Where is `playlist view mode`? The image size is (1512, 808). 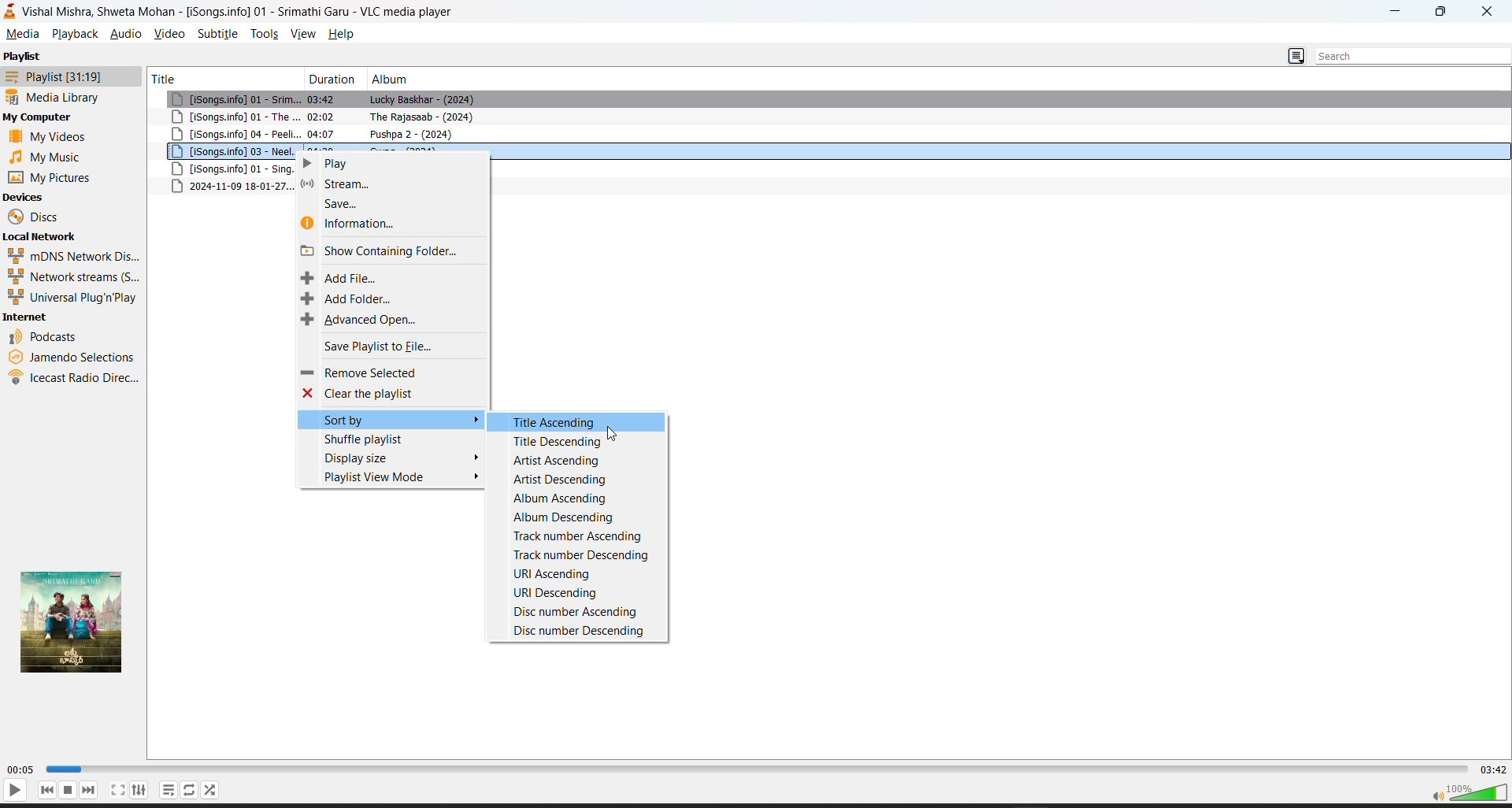
playlist view mode is located at coordinates (391, 479).